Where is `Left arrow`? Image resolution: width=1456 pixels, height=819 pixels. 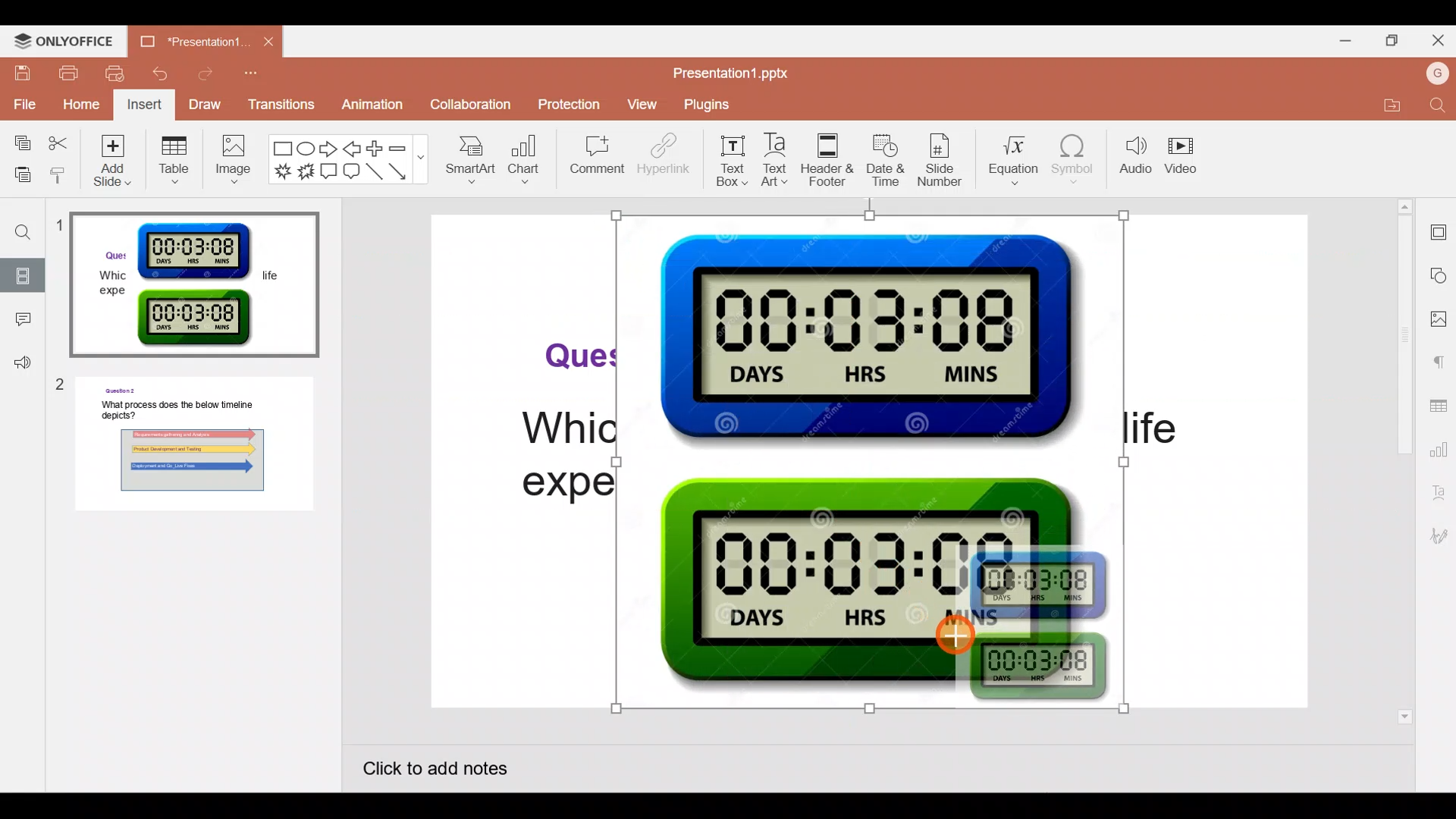 Left arrow is located at coordinates (356, 149).